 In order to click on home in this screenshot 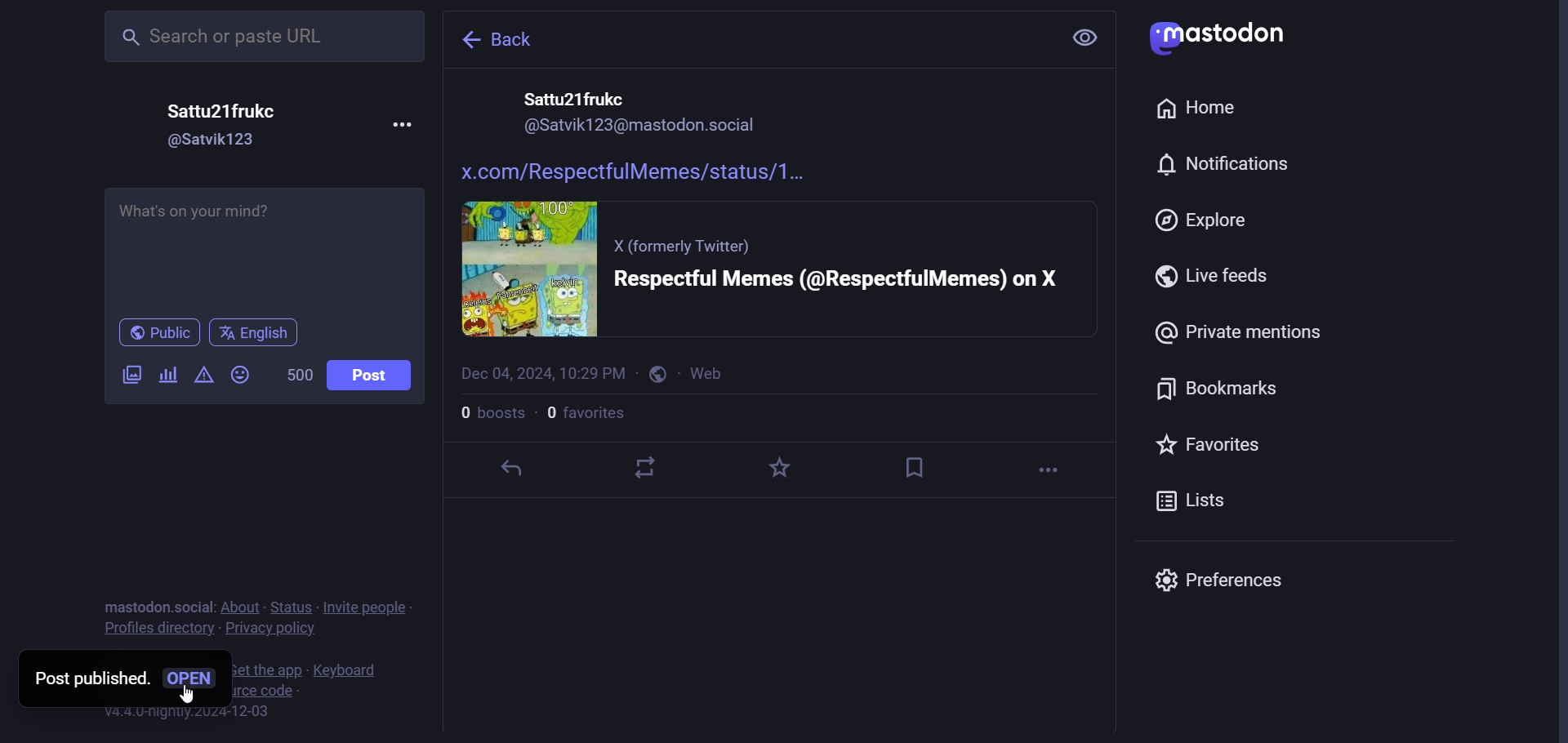, I will do `click(1197, 108)`.